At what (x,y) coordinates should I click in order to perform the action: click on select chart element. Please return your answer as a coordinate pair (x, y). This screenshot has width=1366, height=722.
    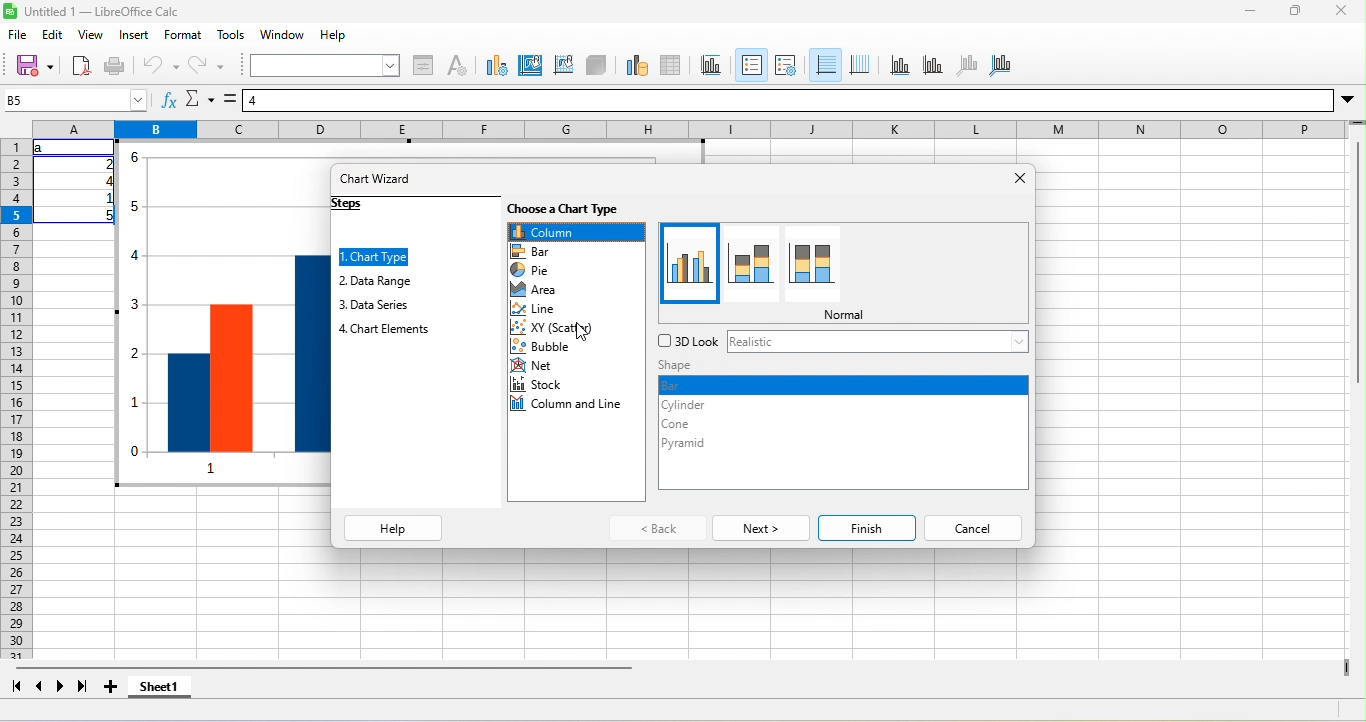
    Looking at the image, I should click on (326, 65).